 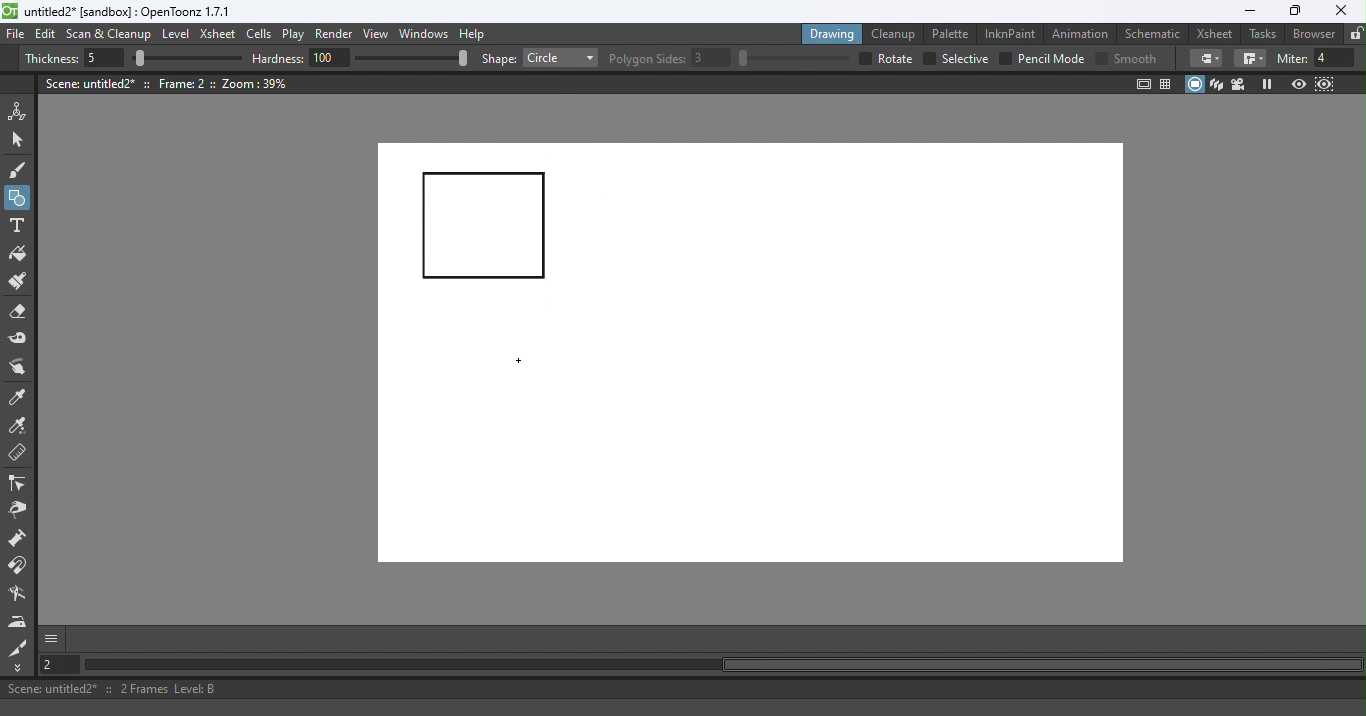 What do you see at coordinates (18, 256) in the screenshot?
I see `Fill tool` at bounding box center [18, 256].